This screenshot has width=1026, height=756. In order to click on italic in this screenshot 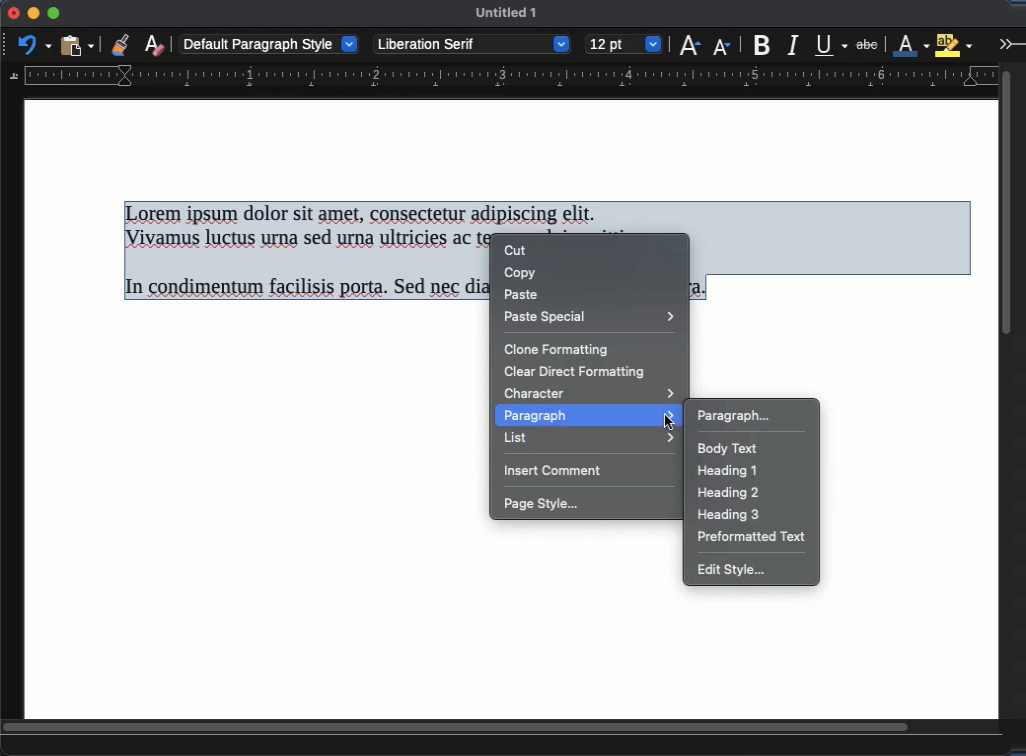, I will do `click(792, 46)`.